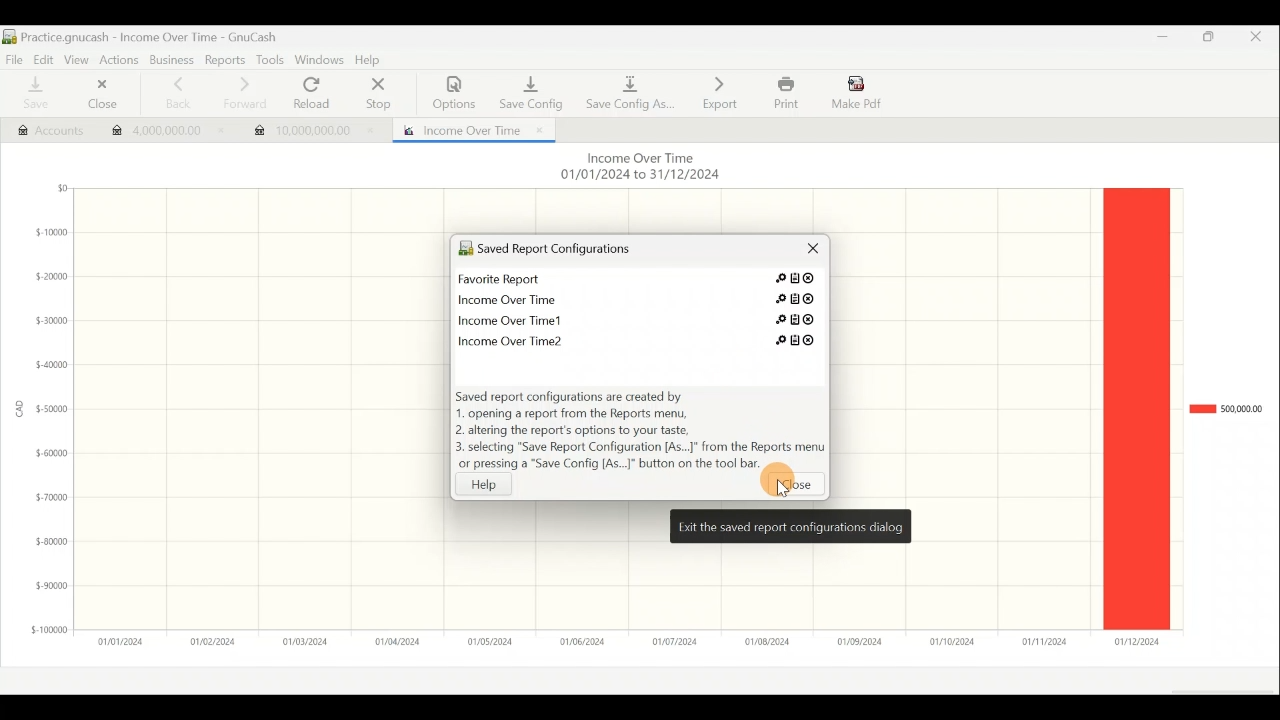  What do you see at coordinates (790, 526) in the screenshot?
I see `description of the function of close button ` at bounding box center [790, 526].